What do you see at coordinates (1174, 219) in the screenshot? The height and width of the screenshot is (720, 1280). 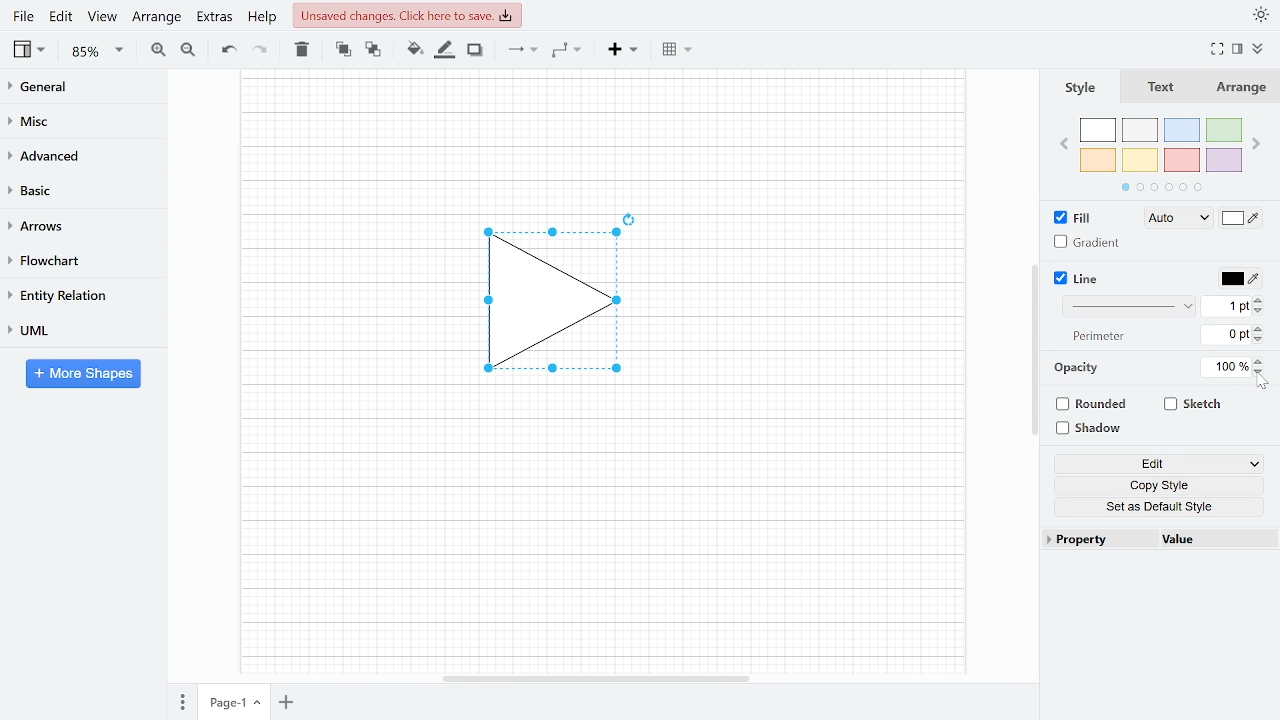 I see `Fill style` at bounding box center [1174, 219].